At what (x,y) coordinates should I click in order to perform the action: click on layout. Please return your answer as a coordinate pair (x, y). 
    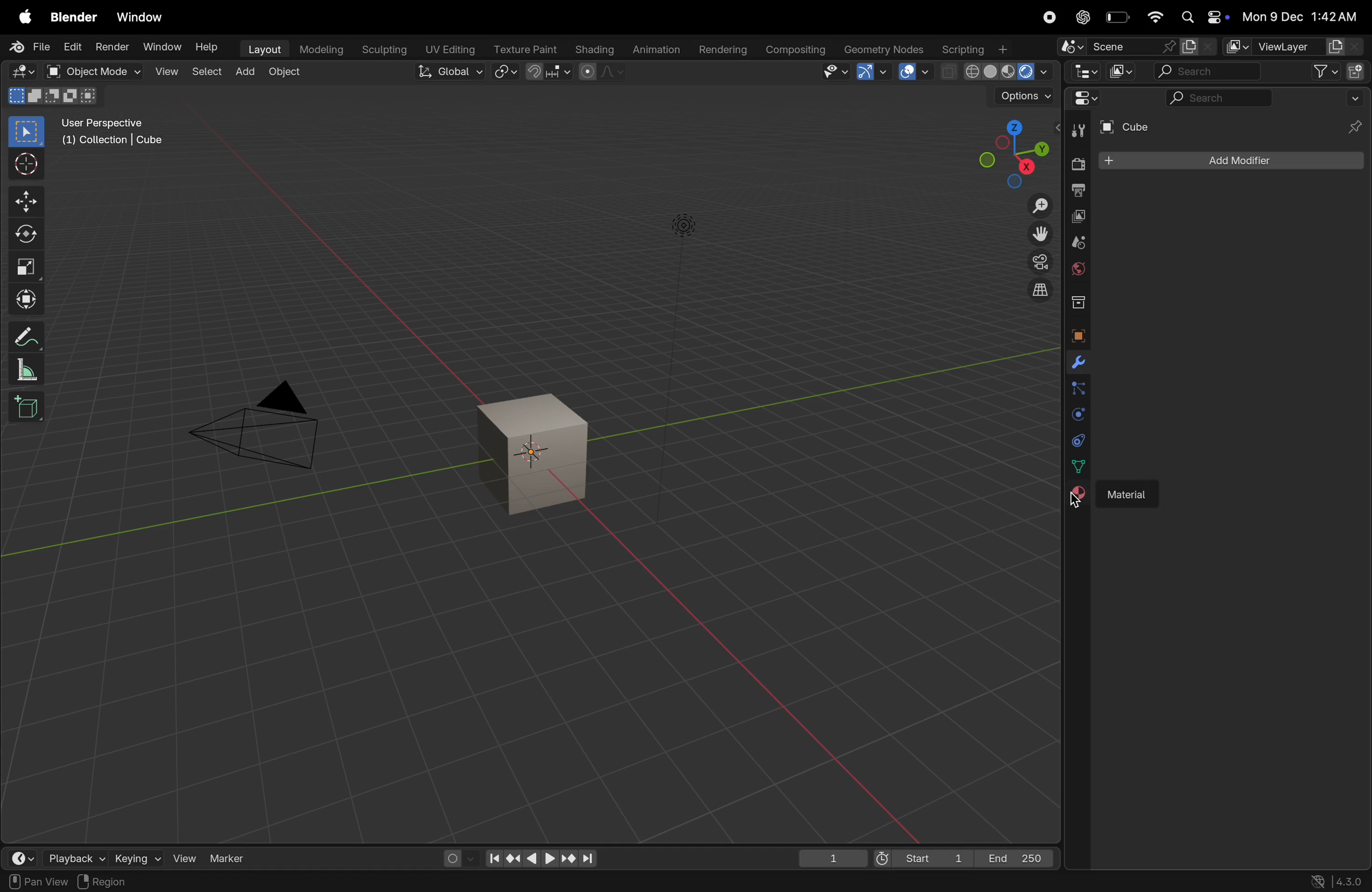
    Looking at the image, I should click on (263, 50).